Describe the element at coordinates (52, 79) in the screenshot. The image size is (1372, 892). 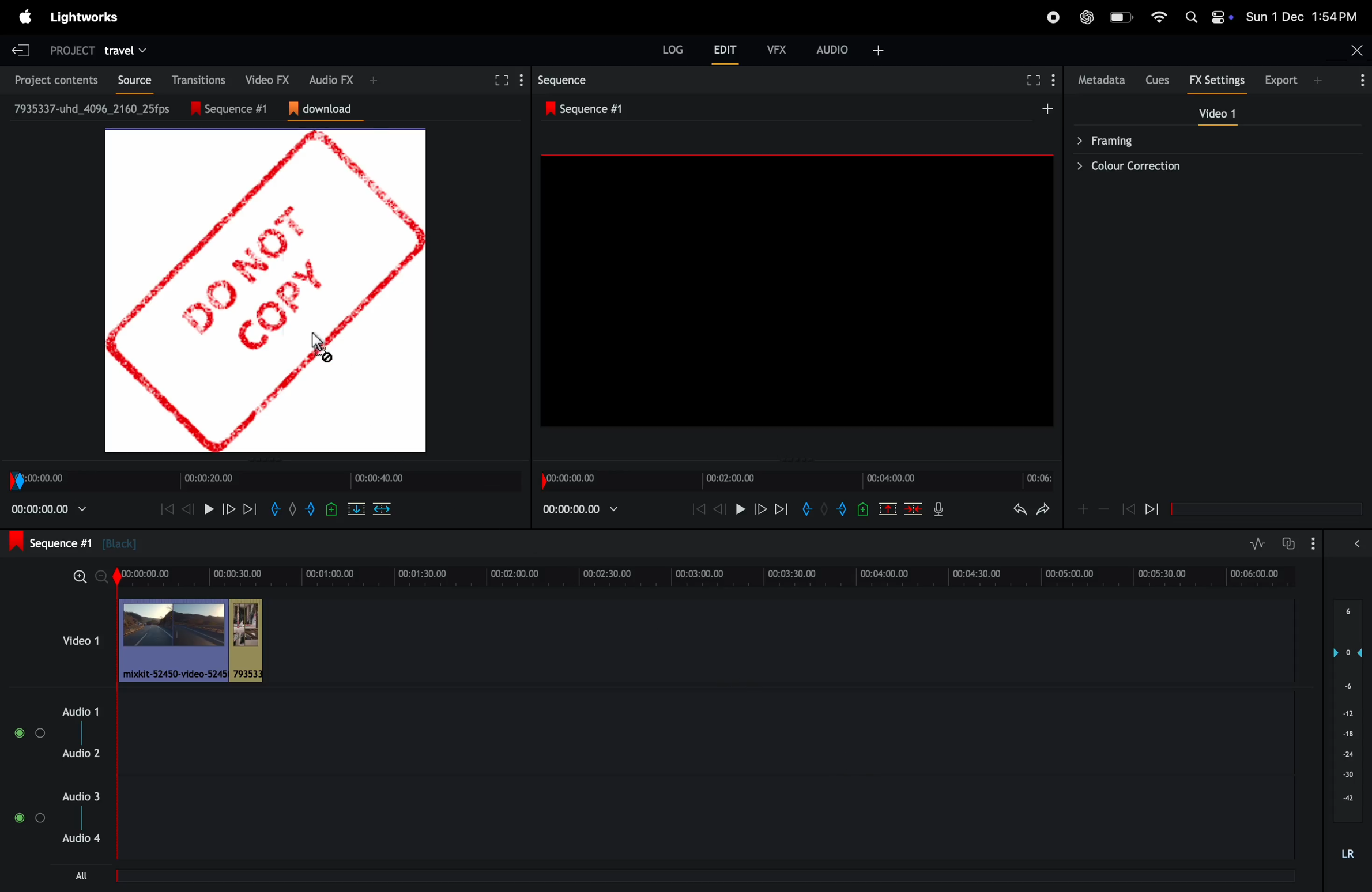
I see `project contents` at that location.